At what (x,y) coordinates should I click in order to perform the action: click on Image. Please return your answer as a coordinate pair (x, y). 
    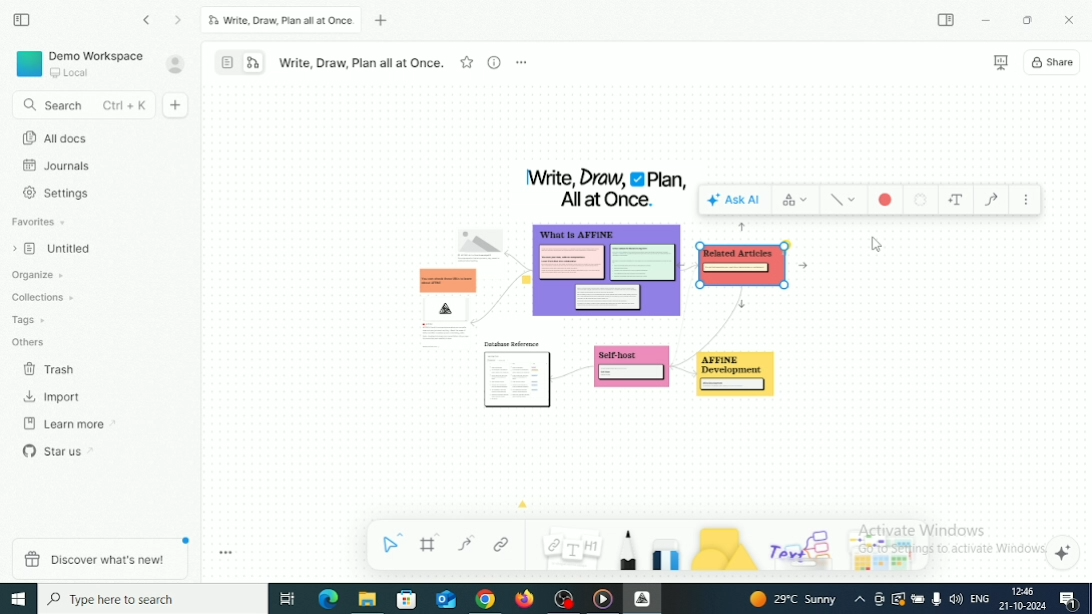
    Looking at the image, I should click on (480, 239).